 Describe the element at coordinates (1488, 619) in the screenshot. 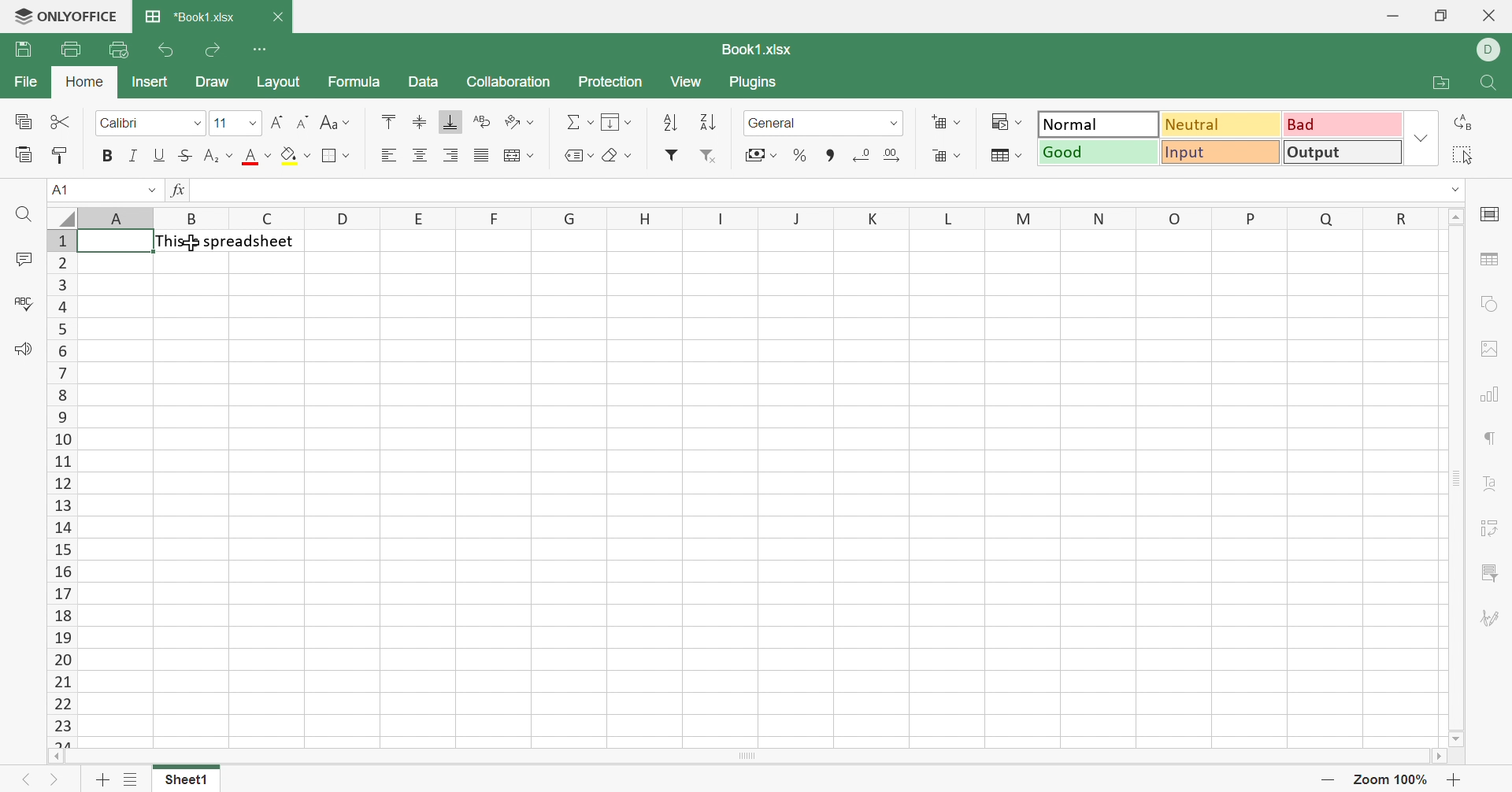

I see `Signature settings` at that location.